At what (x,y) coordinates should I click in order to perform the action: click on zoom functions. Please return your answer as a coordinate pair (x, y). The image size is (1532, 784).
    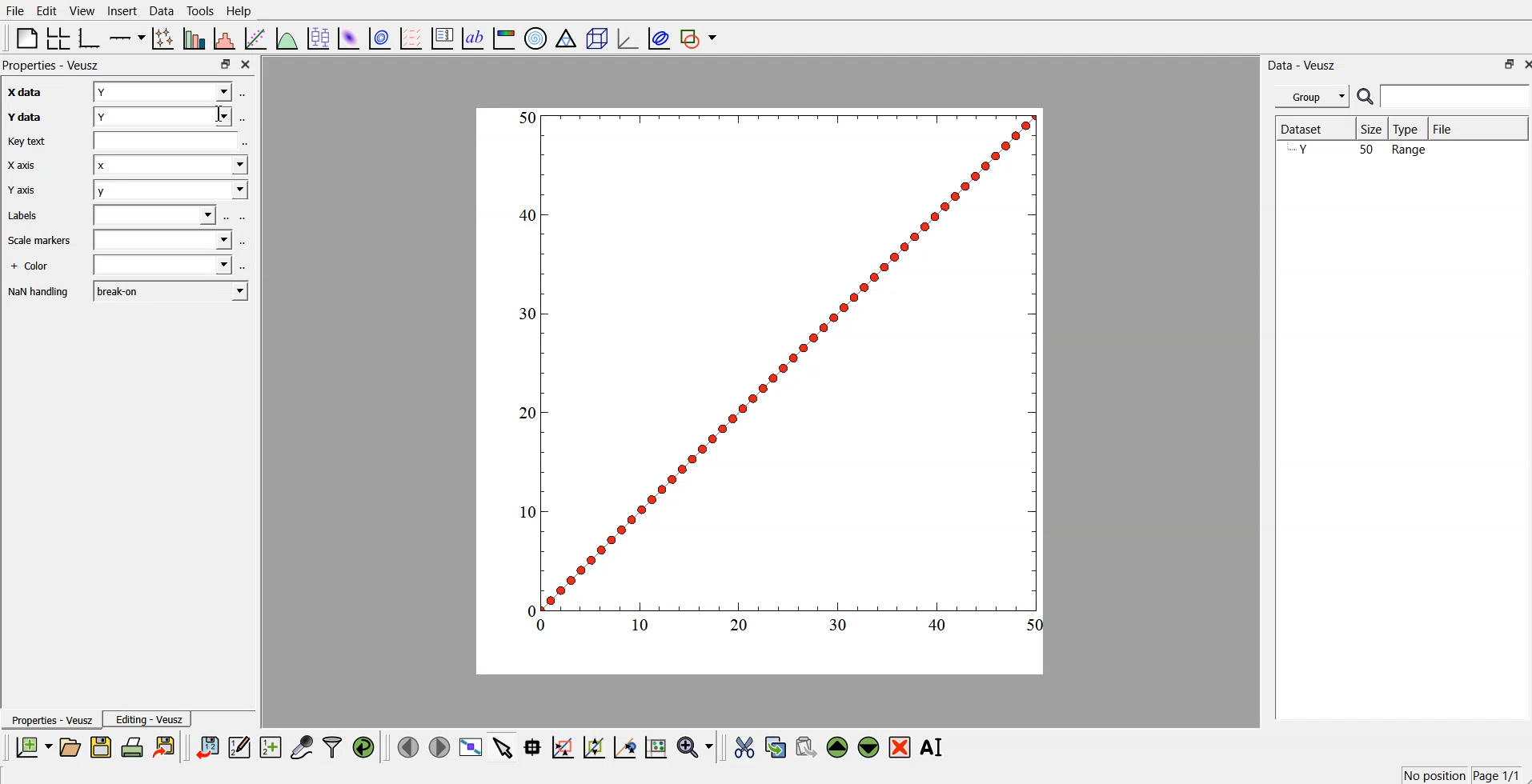
    Looking at the image, I should click on (696, 746).